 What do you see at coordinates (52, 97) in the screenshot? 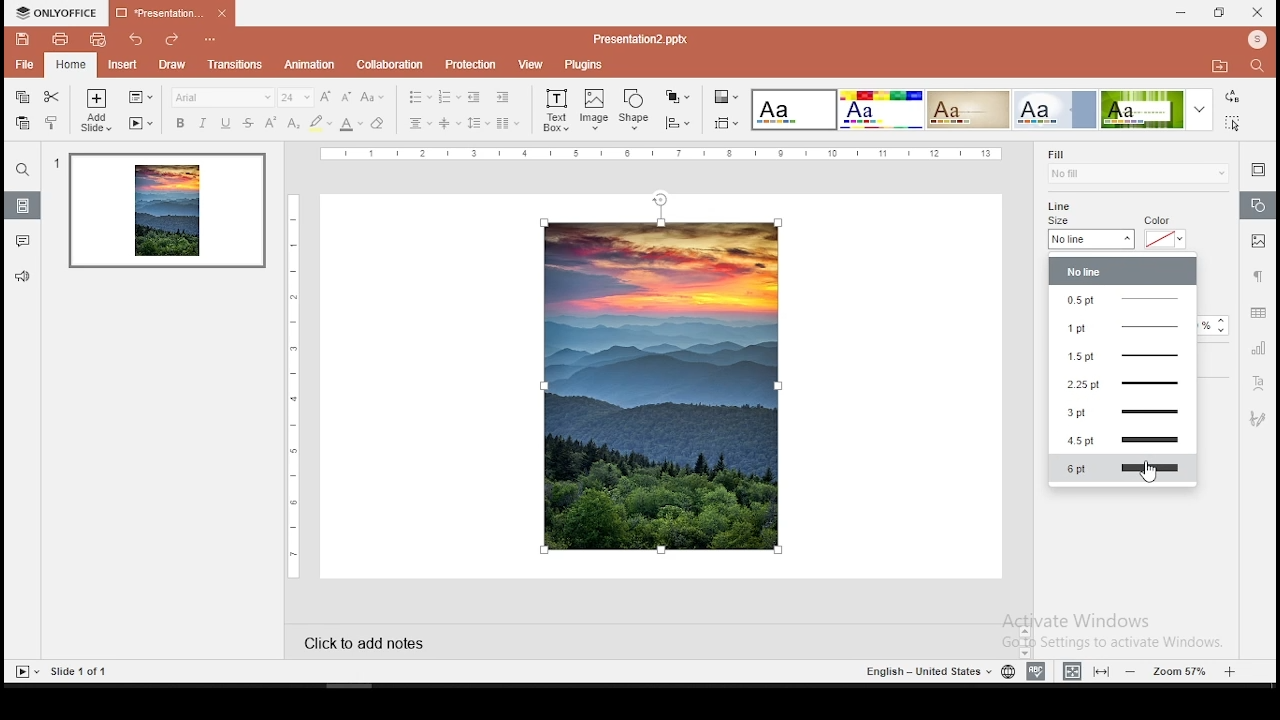
I see `cut` at bounding box center [52, 97].